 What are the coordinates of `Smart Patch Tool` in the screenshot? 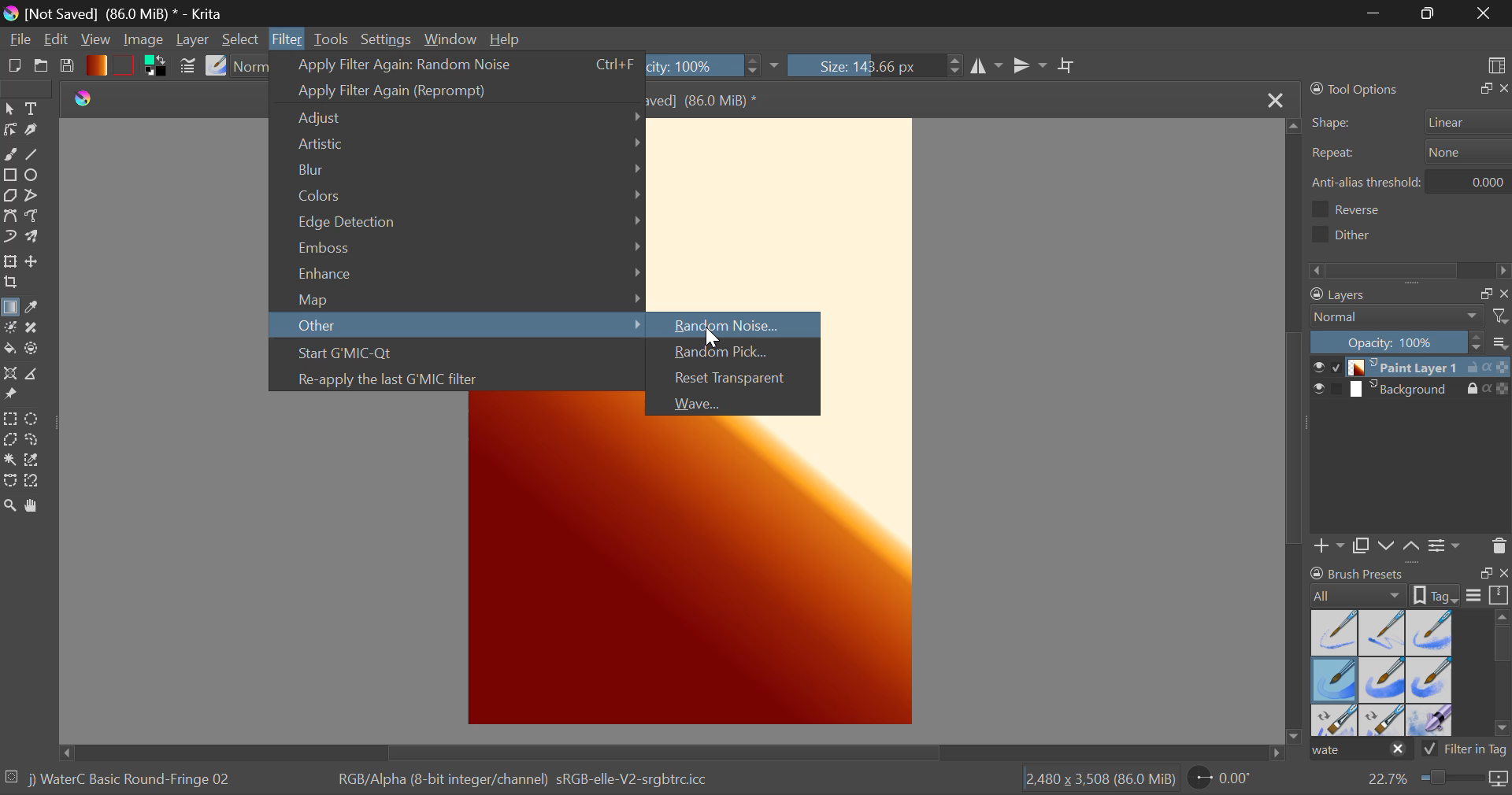 It's located at (38, 327).